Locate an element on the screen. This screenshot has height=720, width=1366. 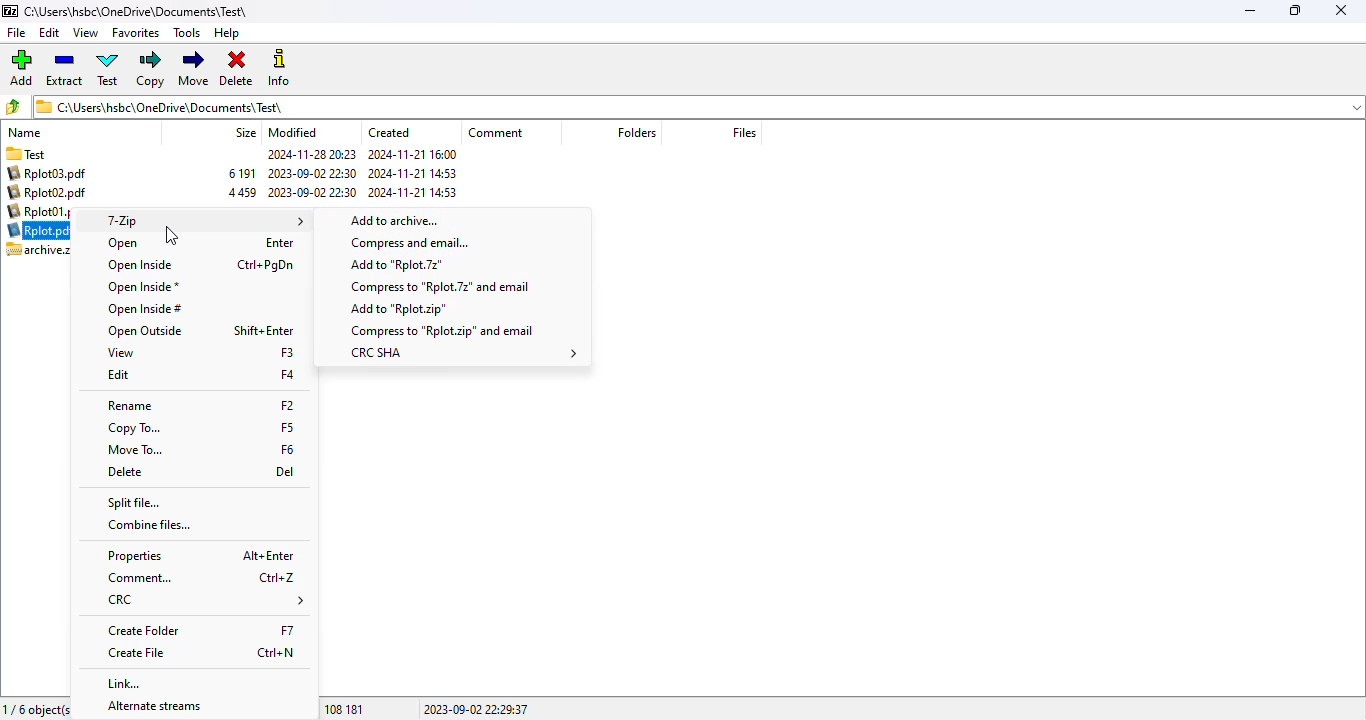
extract is located at coordinates (64, 68).